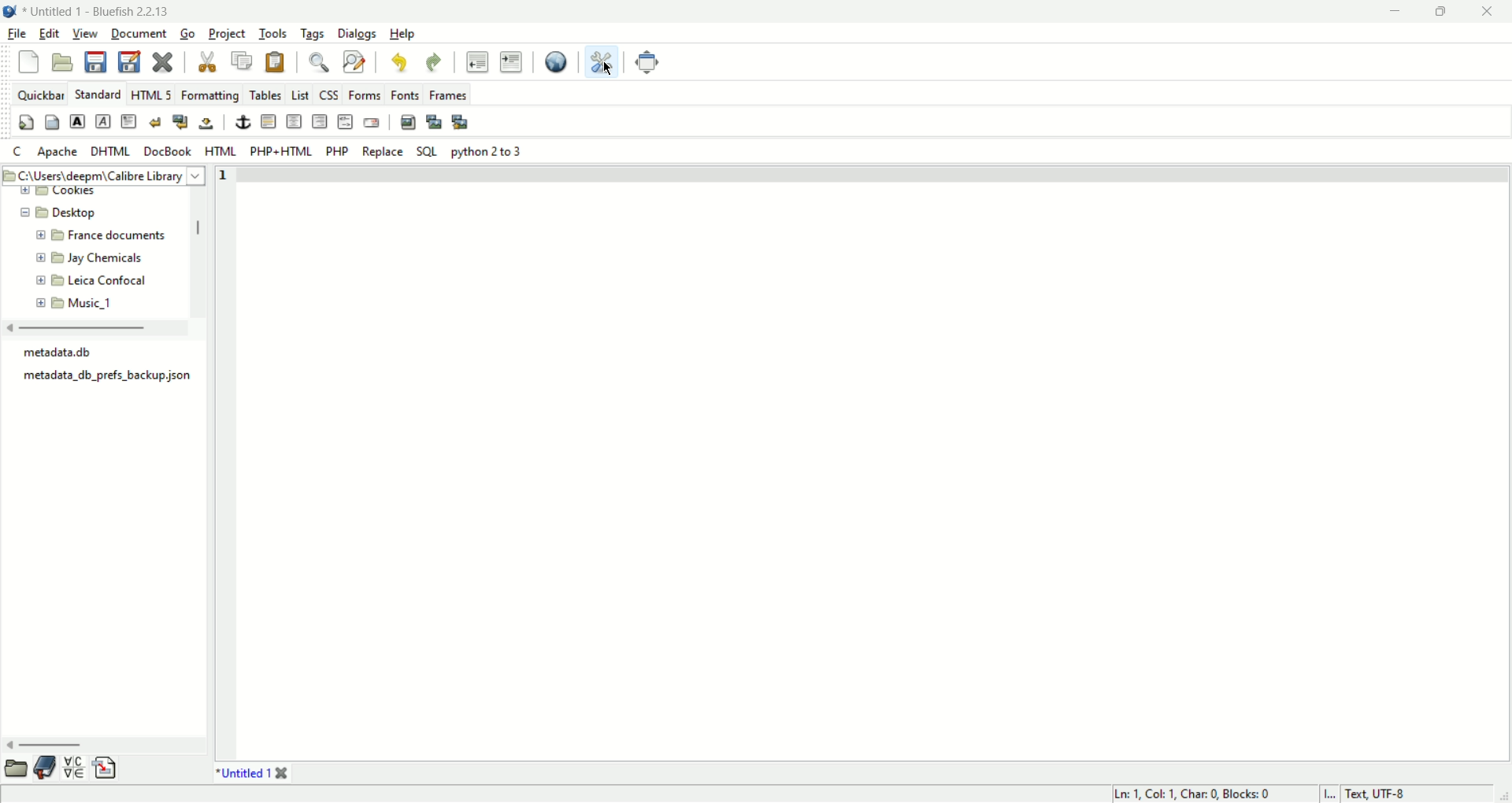 This screenshot has height=803, width=1512. What do you see at coordinates (1188, 792) in the screenshot?
I see `Ln: 1, Col: 1, Char: 0, Blocks: 0` at bounding box center [1188, 792].